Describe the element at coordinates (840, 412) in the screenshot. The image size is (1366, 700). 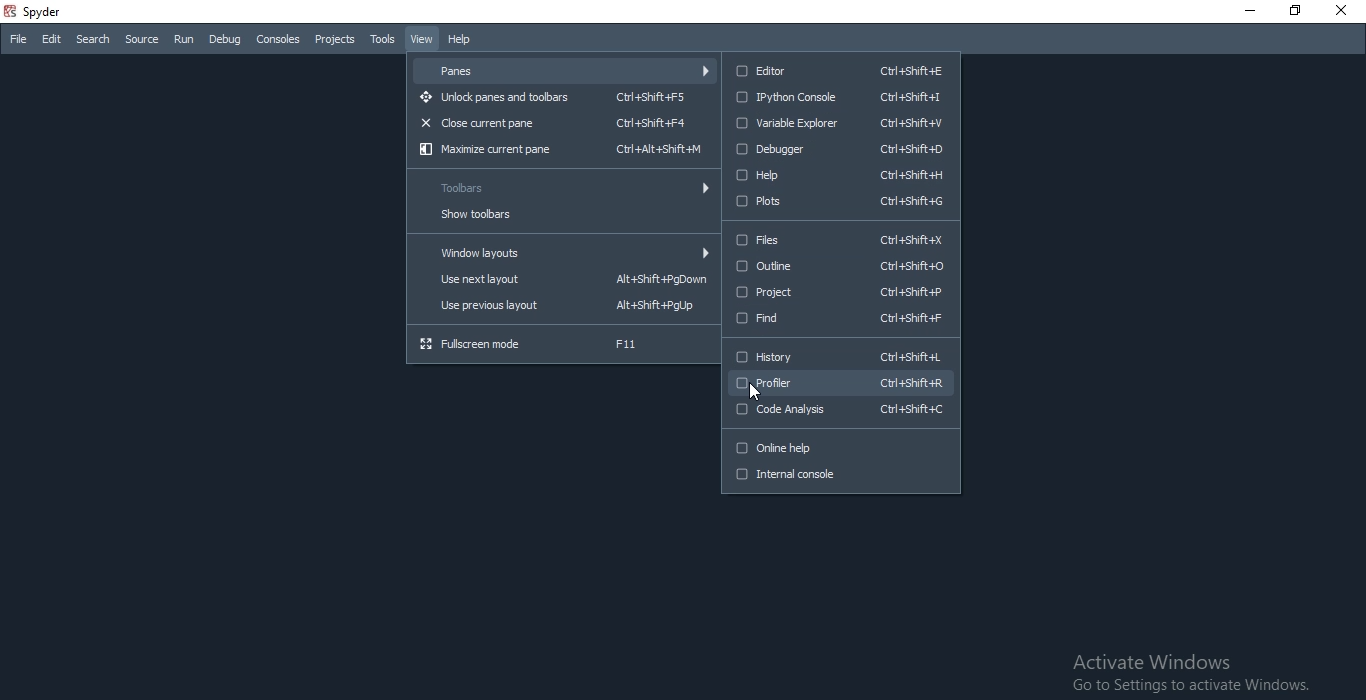
I see `Code Analysis` at that location.